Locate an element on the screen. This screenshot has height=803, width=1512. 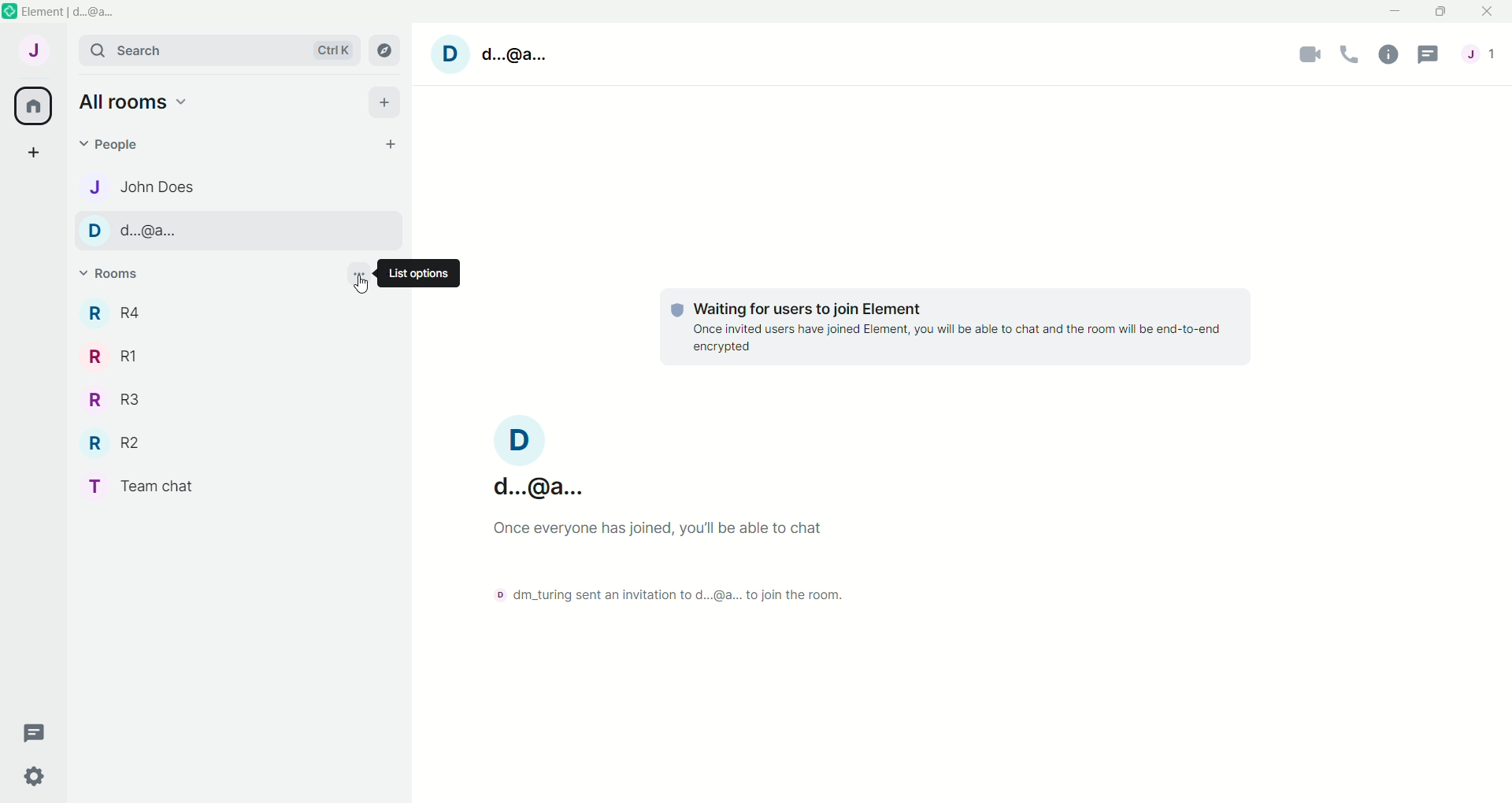
T Team chat is located at coordinates (153, 485).